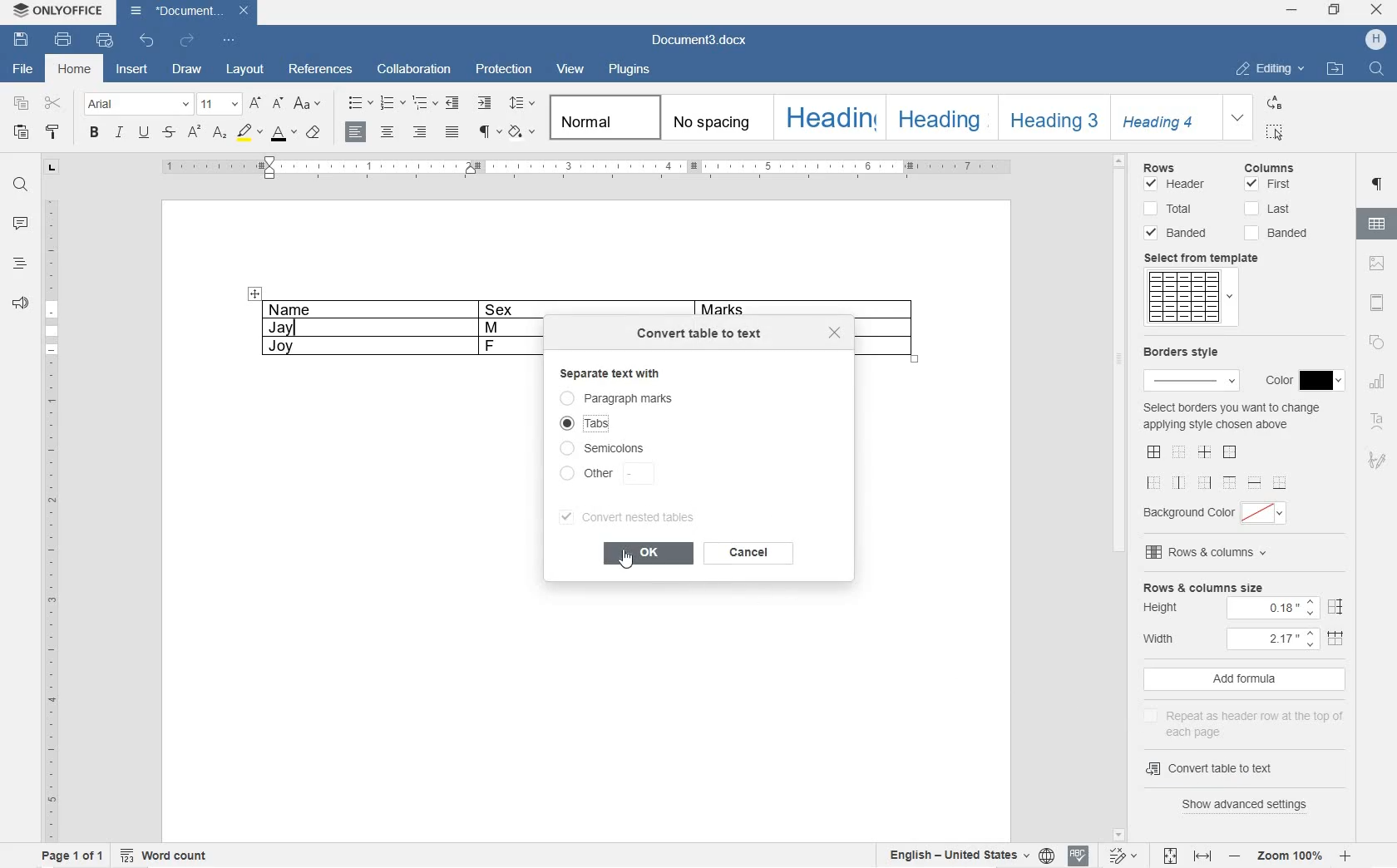 Image resolution: width=1397 pixels, height=868 pixels. I want to click on RESTORE, so click(1335, 10).